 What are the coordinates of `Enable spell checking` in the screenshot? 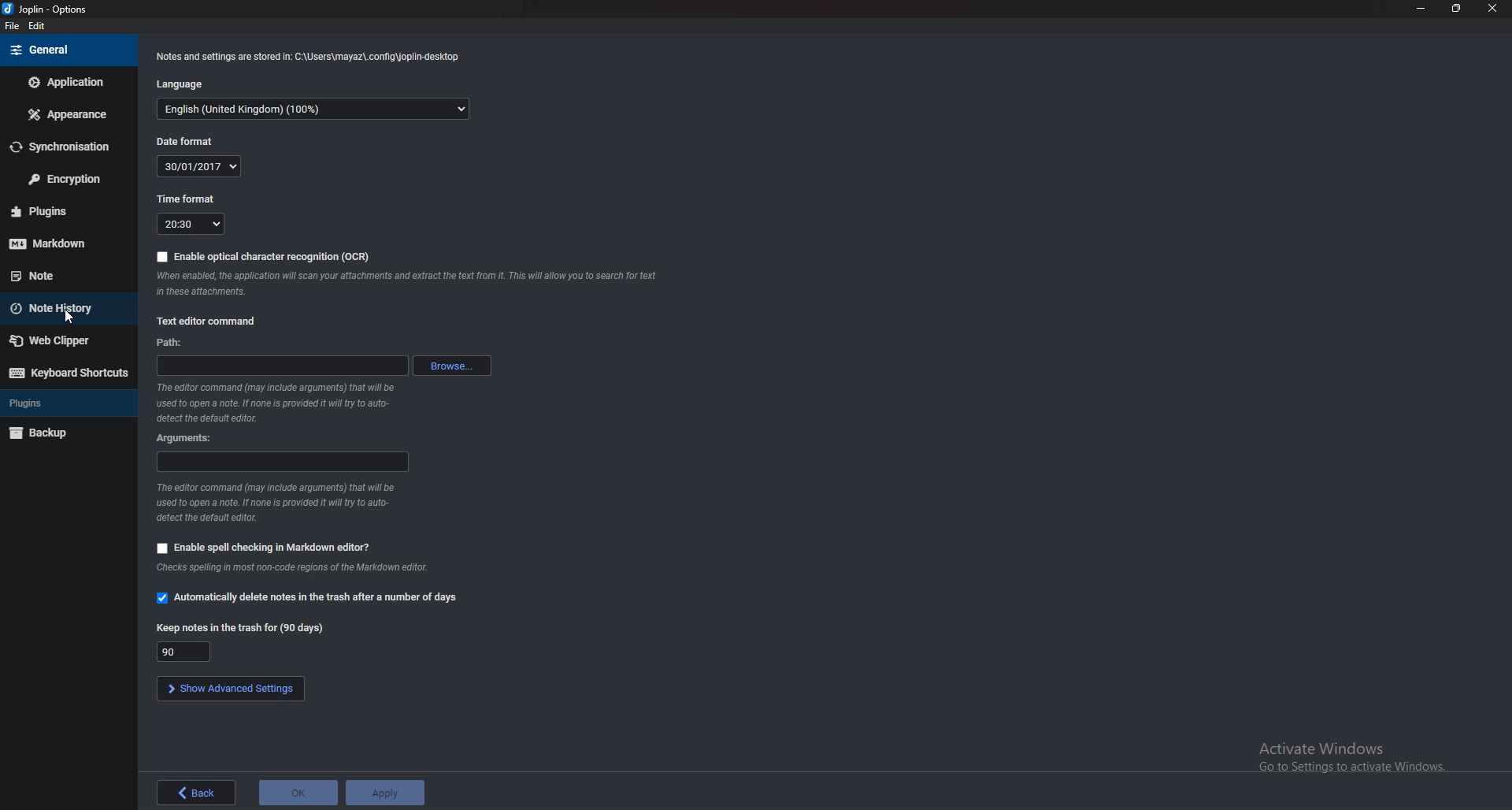 It's located at (265, 546).